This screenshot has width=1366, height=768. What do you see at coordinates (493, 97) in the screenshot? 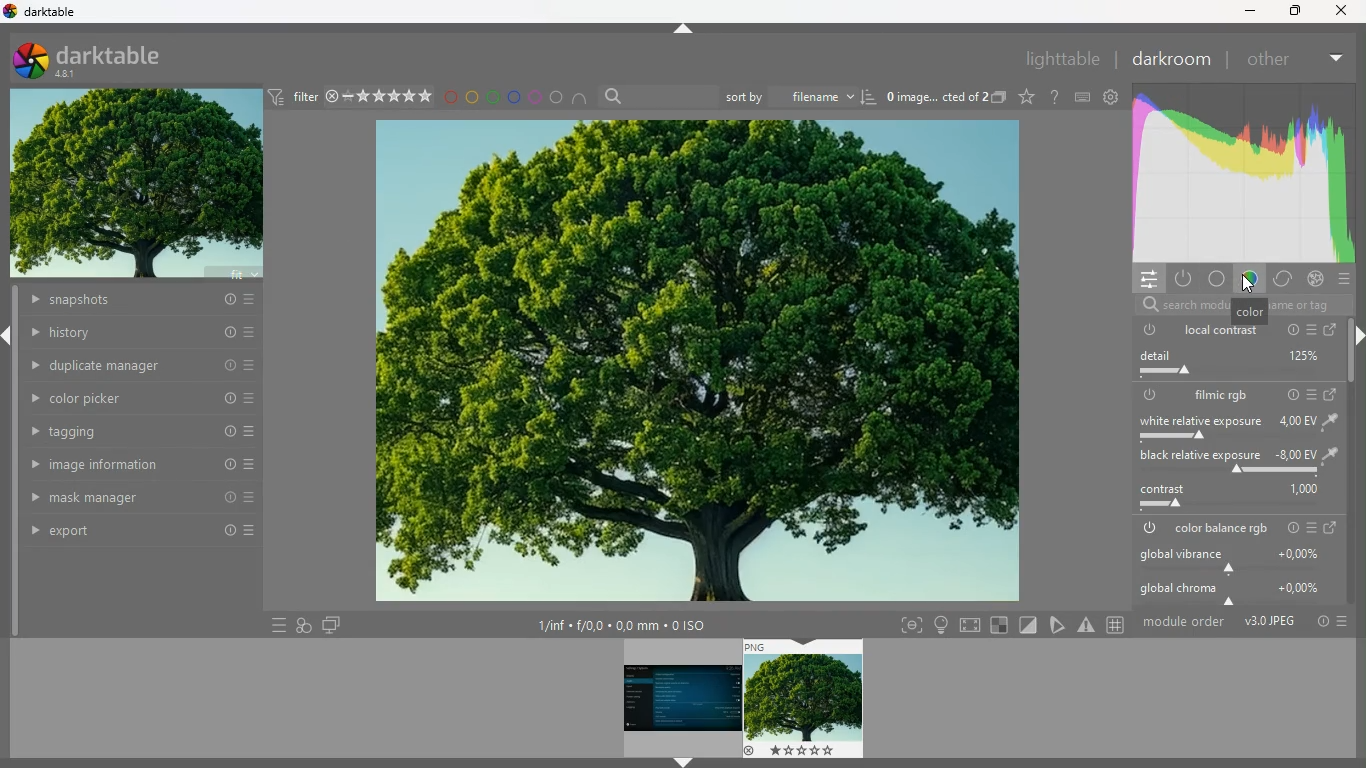
I see `green` at bounding box center [493, 97].